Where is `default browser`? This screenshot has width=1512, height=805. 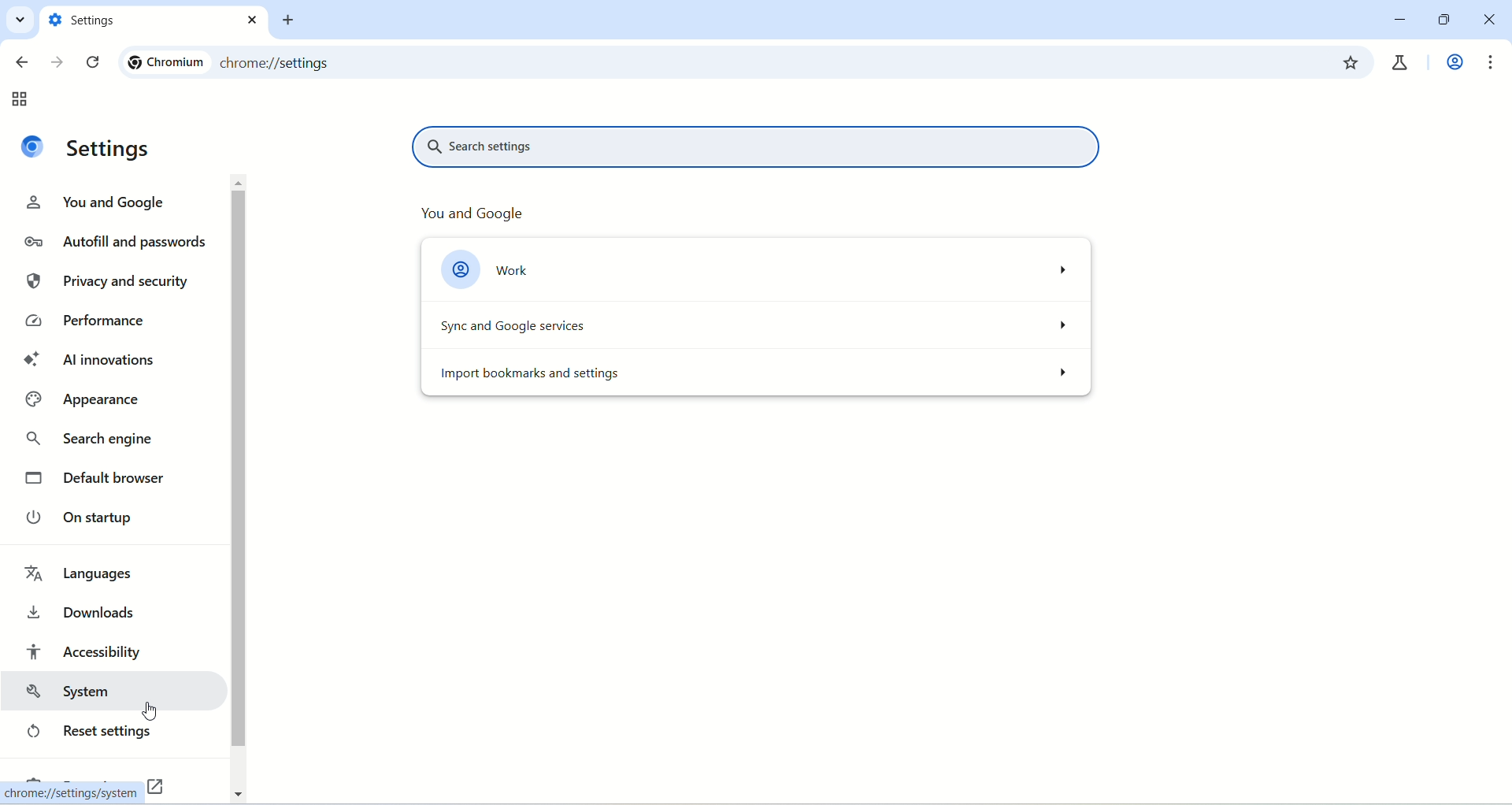
default browser is located at coordinates (106, 480).